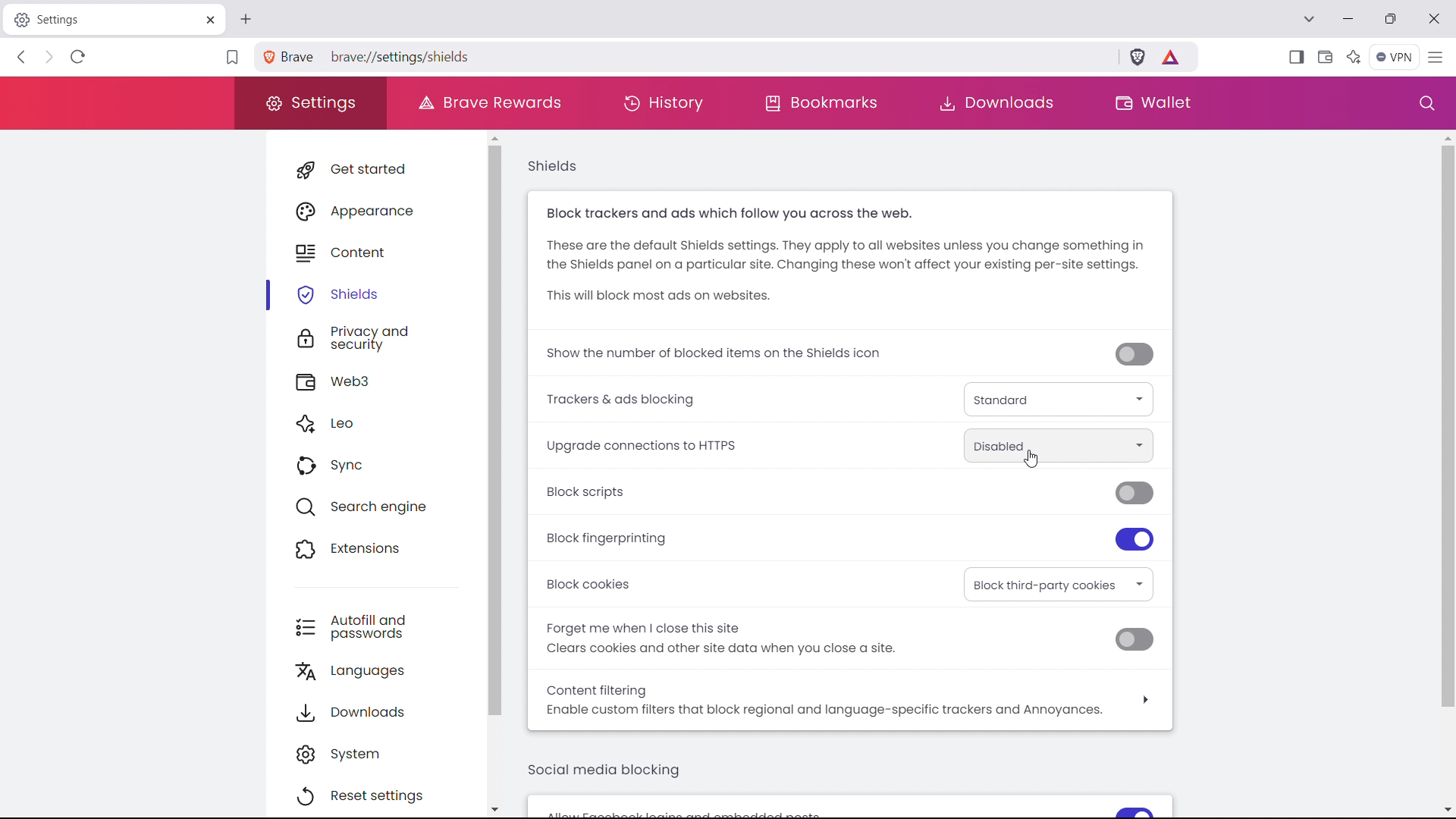 The image size is (1456, 819). Describe the element at coordinates (384, 249) in the screenshot. I see `content` at that location.